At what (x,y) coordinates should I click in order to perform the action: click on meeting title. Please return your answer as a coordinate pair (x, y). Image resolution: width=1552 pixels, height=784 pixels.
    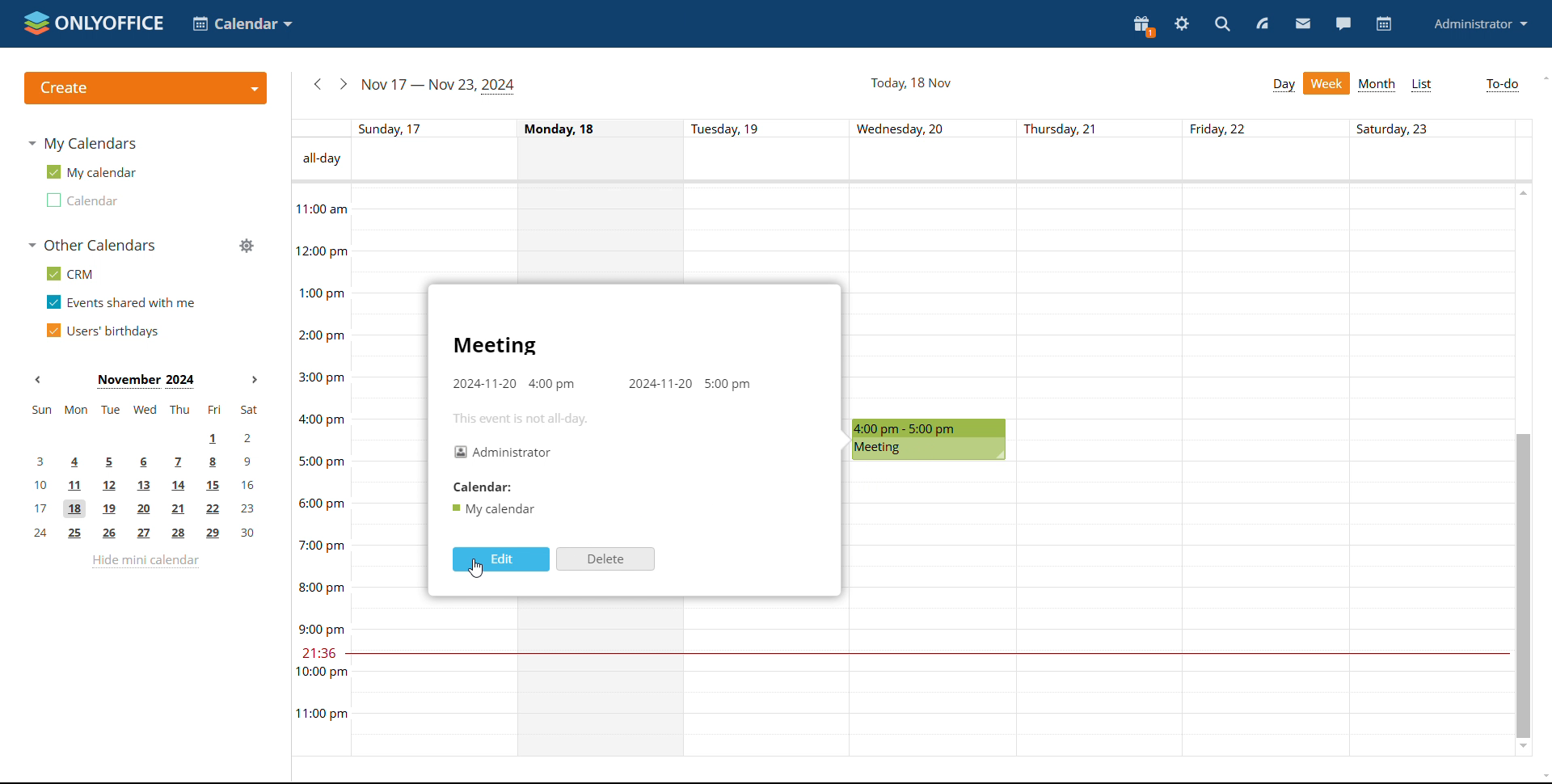
    Looking at the image, I should click on (495, 348).